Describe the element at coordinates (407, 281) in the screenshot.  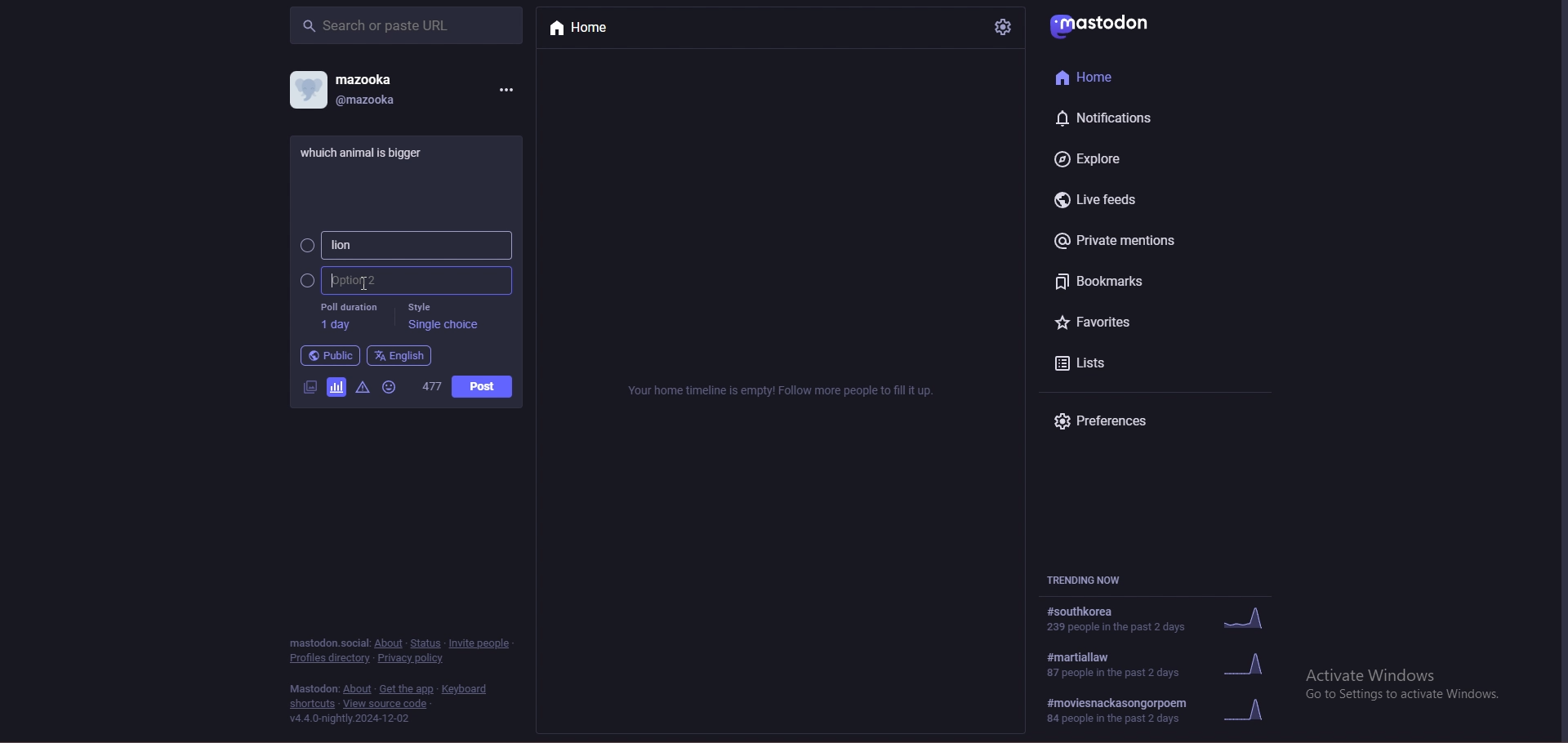
I see `option 2` at that location.